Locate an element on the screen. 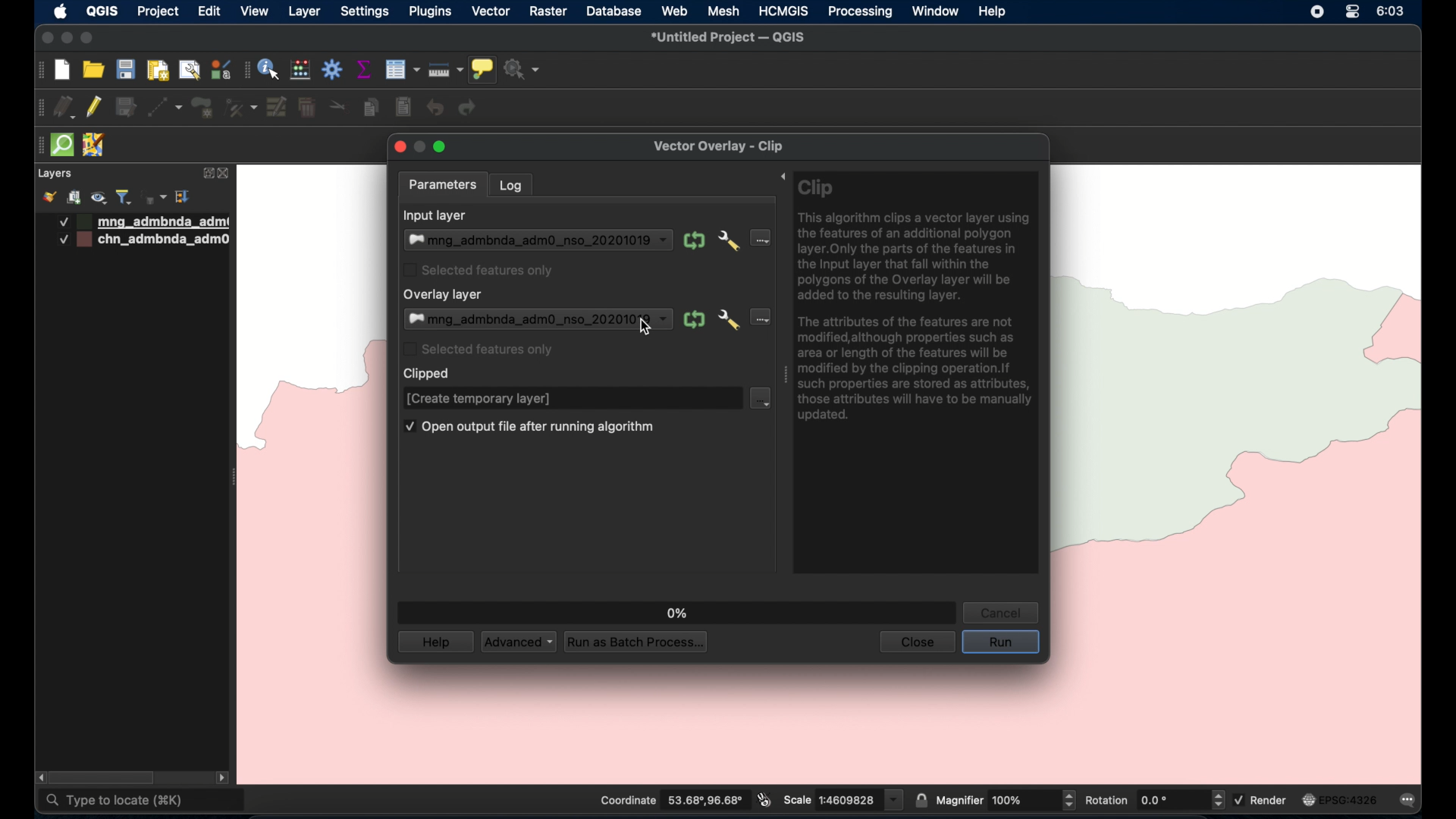 The width and height of the screenshot is (1456, 819).  is located at coordinates (268, 71).